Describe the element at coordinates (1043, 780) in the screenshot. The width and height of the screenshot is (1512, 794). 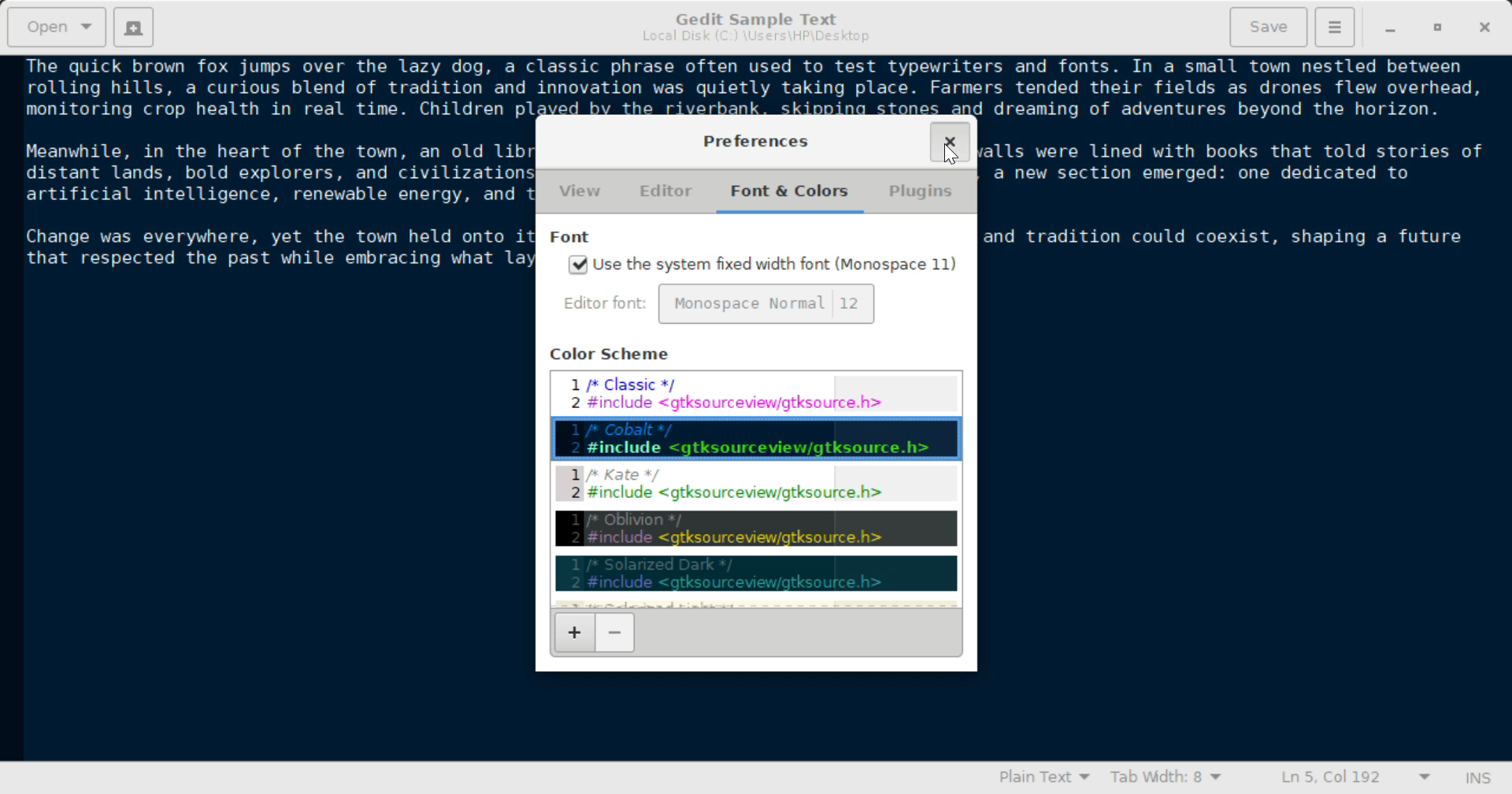
I see `Text Language` at that location.